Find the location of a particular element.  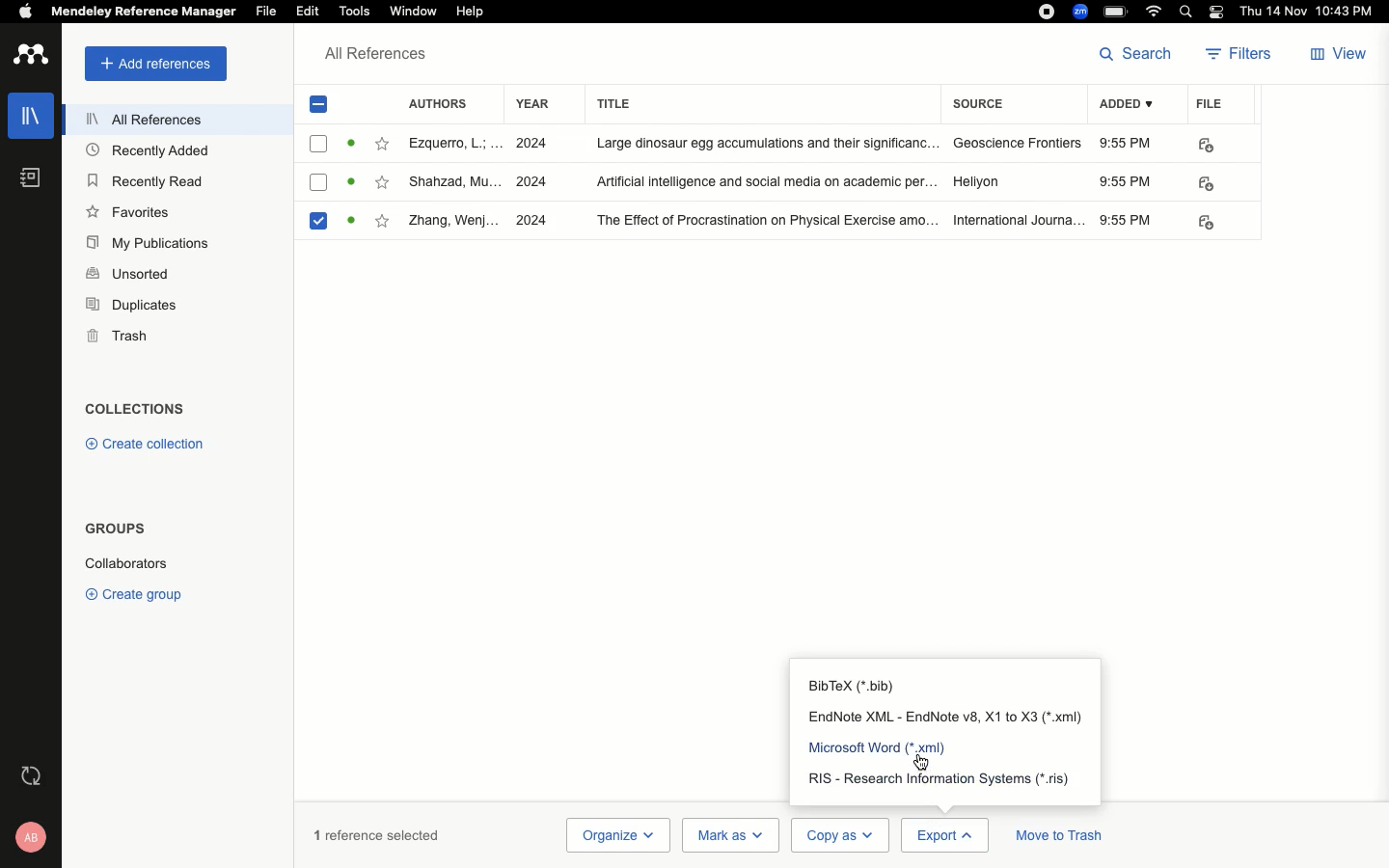

Trash is located at coordinates (118, 336).